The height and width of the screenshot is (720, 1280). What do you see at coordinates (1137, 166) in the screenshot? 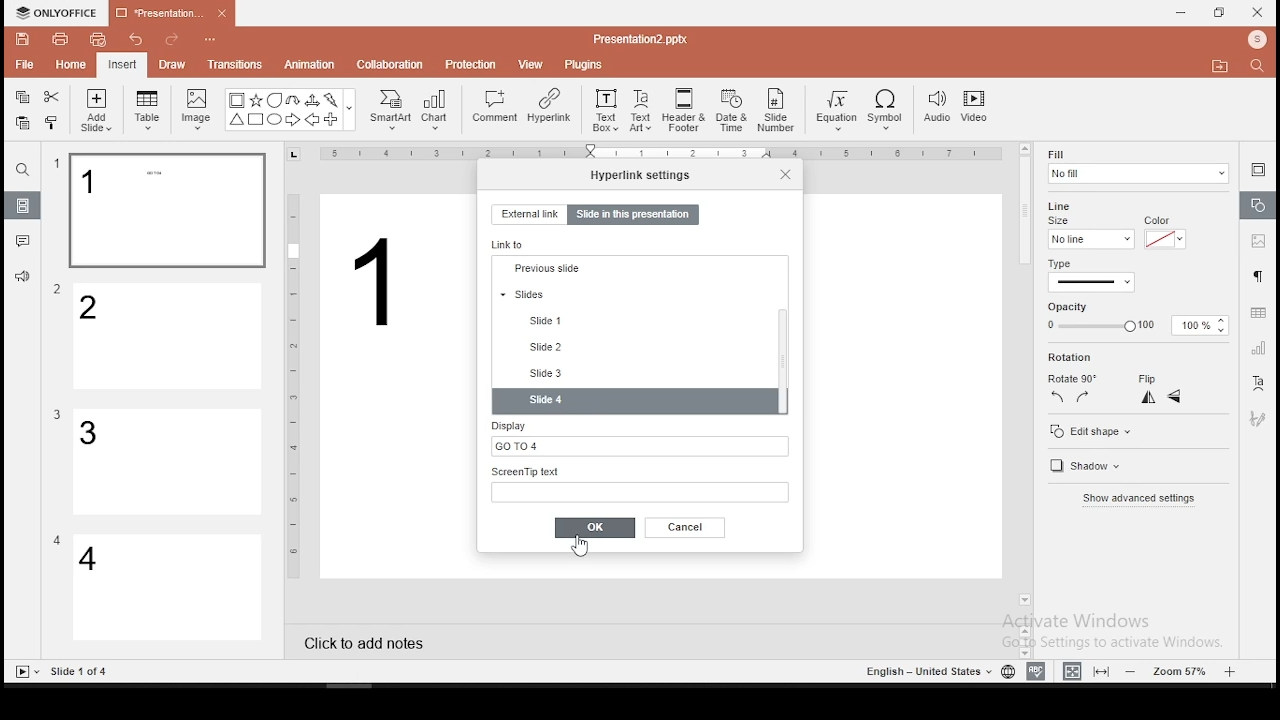
I see `fill` at bounding box center [1137, 166].